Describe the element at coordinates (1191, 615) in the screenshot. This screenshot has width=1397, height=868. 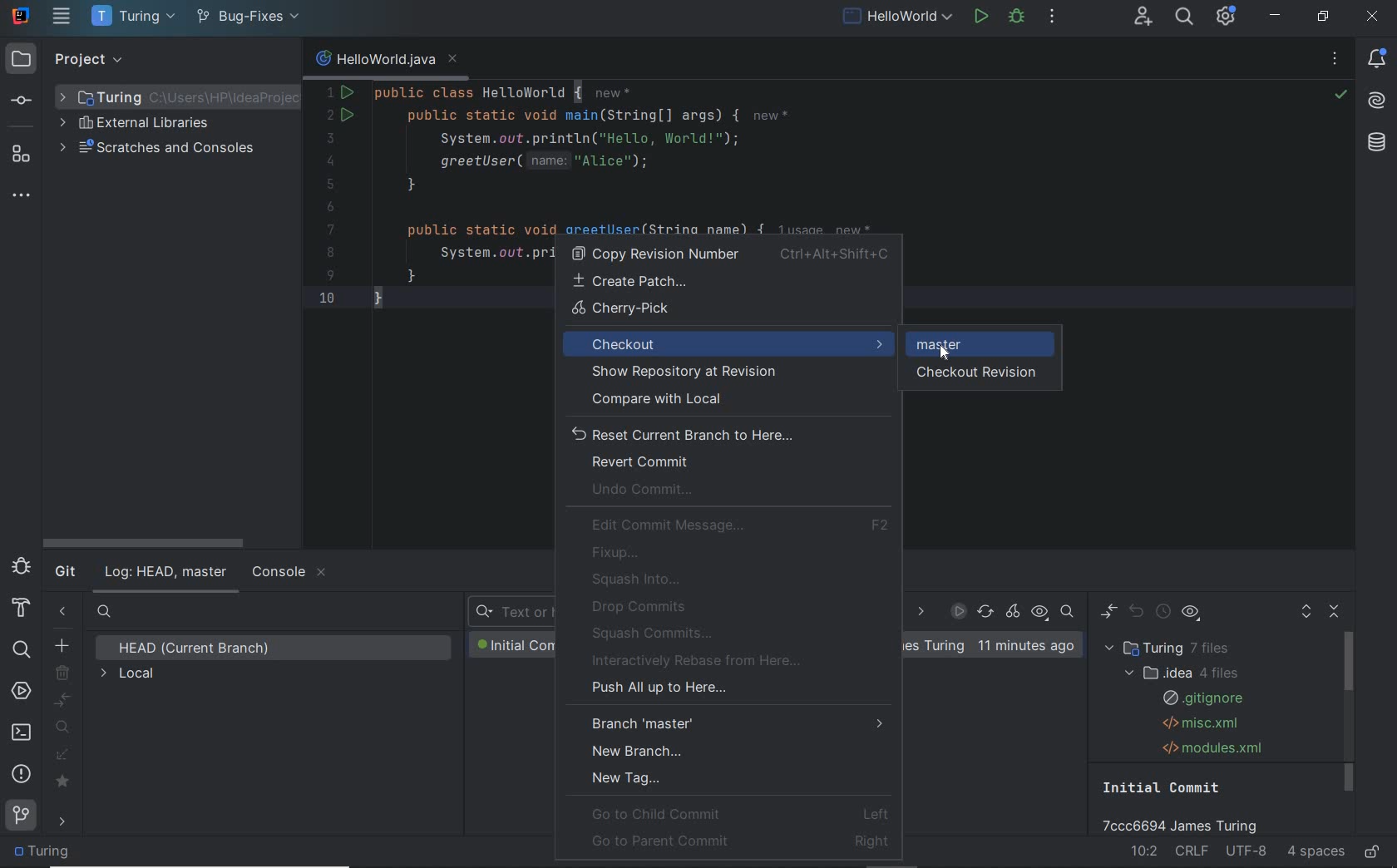
I see `view options` at that location.